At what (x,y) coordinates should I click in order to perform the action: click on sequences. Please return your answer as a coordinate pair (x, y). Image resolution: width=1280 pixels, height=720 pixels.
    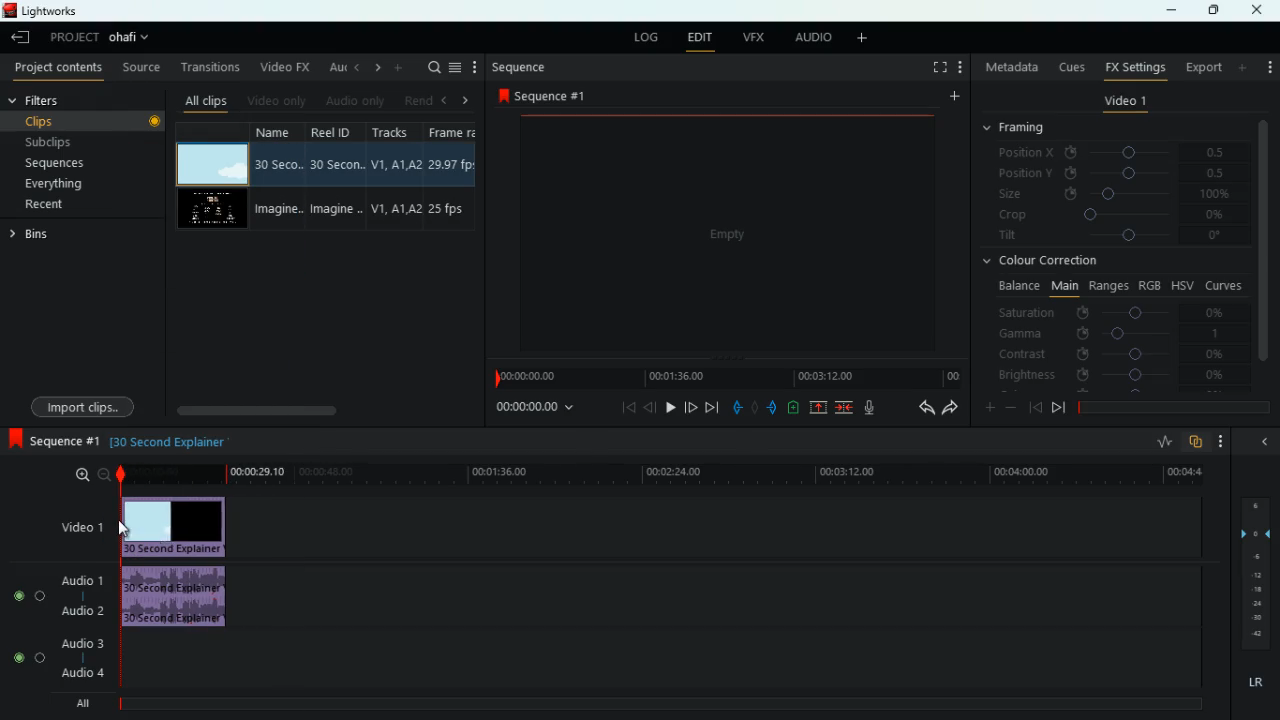
    Looking at the image, I should click on (66, 165).